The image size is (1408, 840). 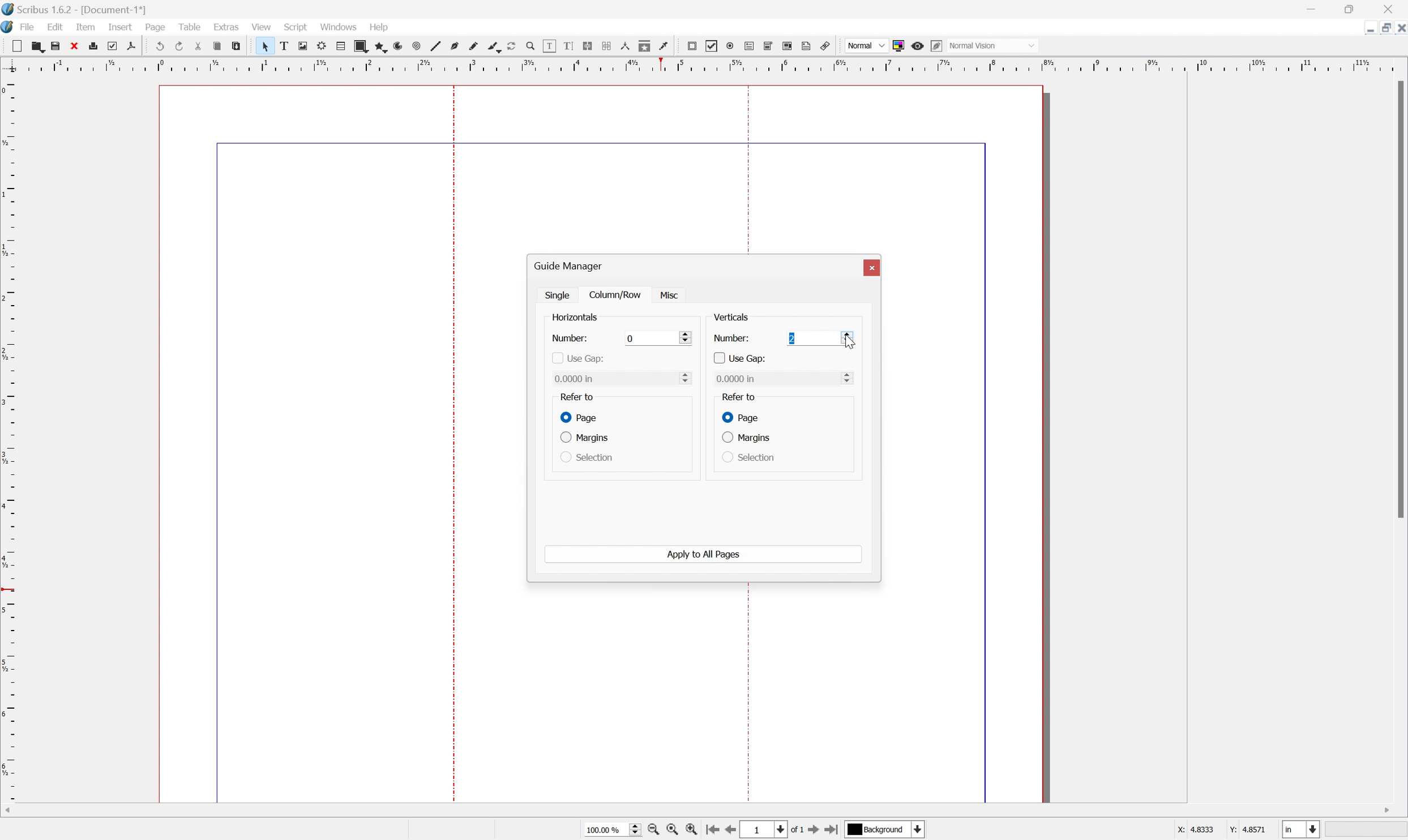 I want to click on polygon, so click(x=380, y=48).